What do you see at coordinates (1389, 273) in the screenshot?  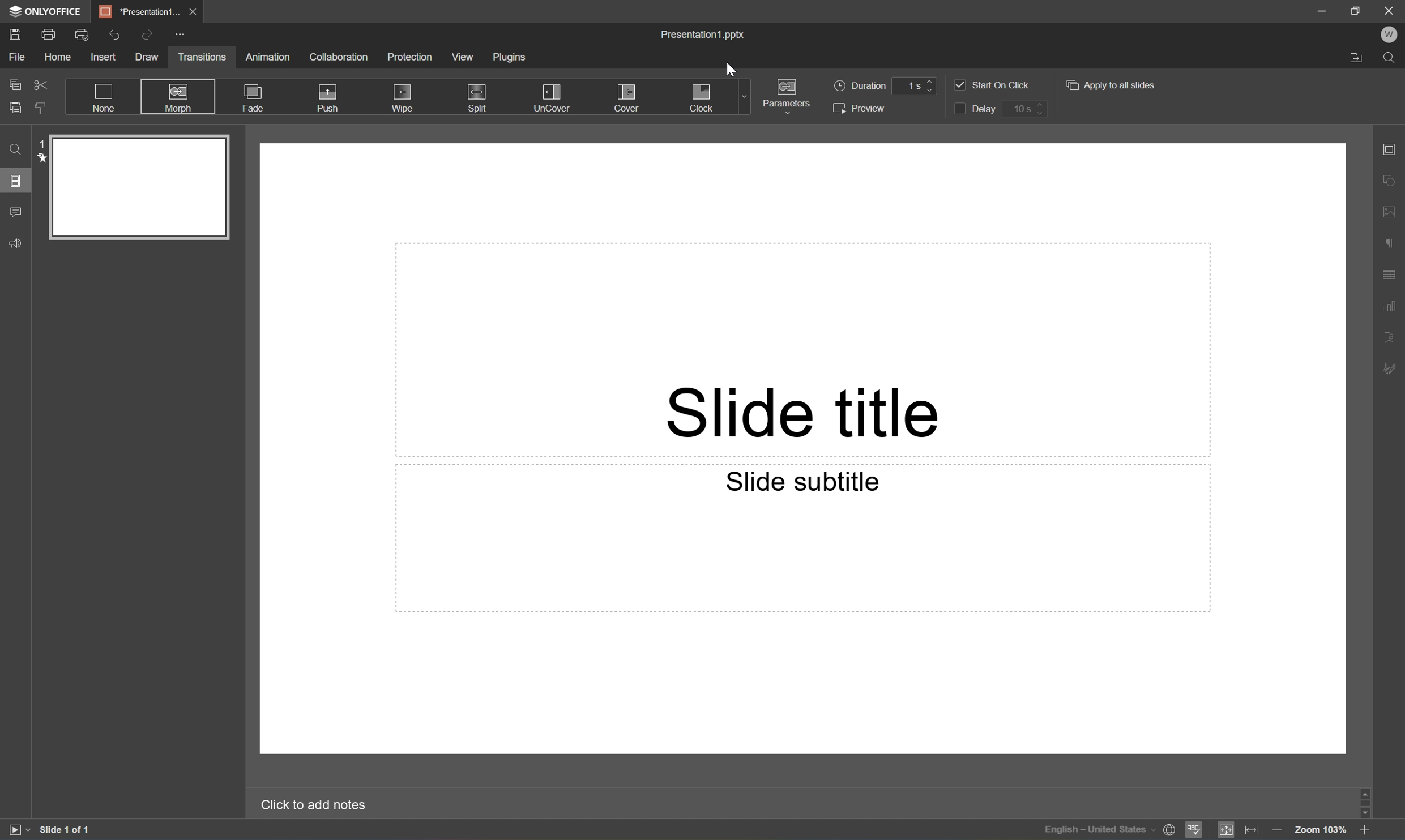 I see `Table settings` at bounding box center [1389, 273].